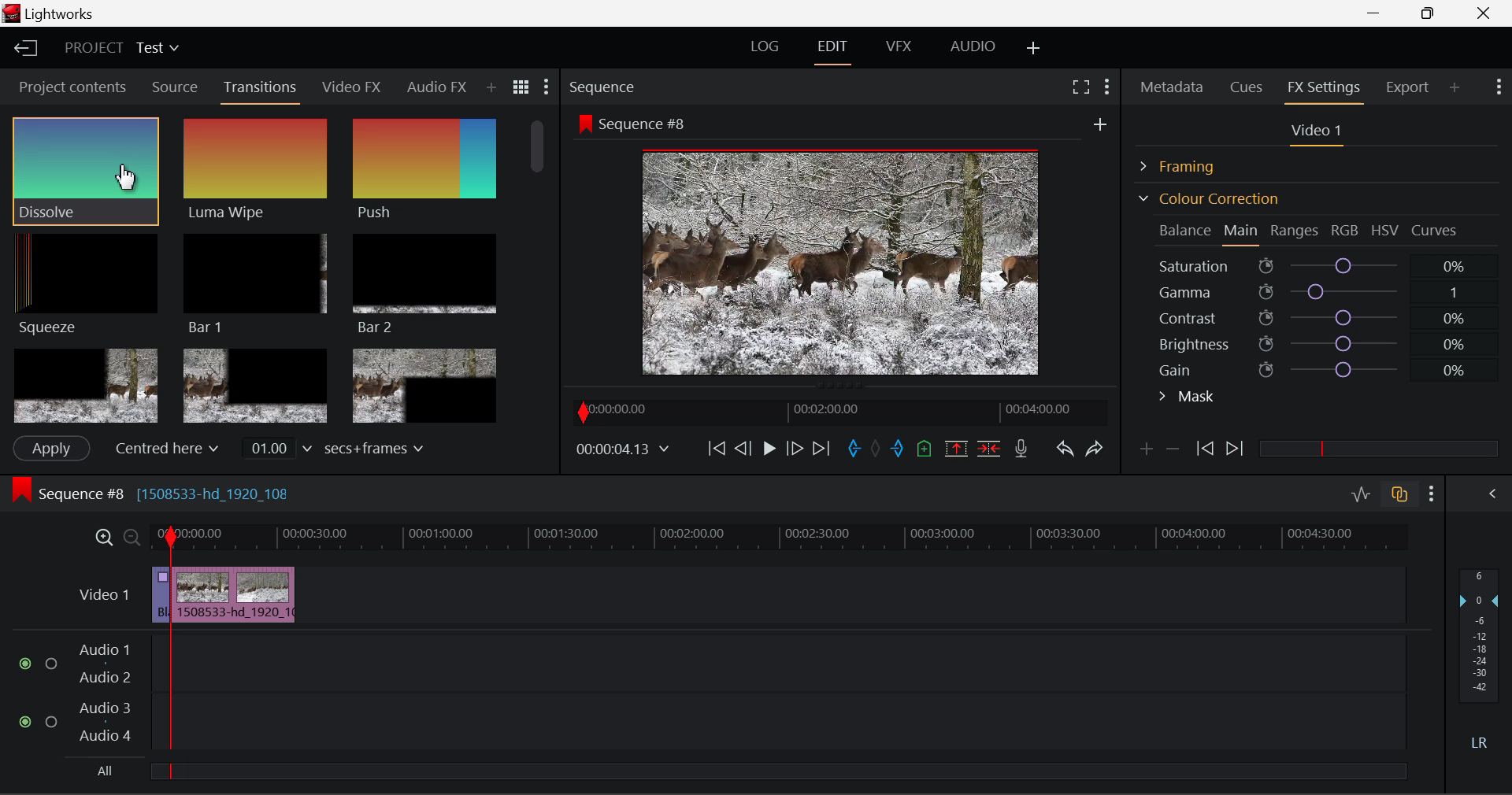 The image size is (1512, 795). I want to click on Mark In, so click(855, 449).